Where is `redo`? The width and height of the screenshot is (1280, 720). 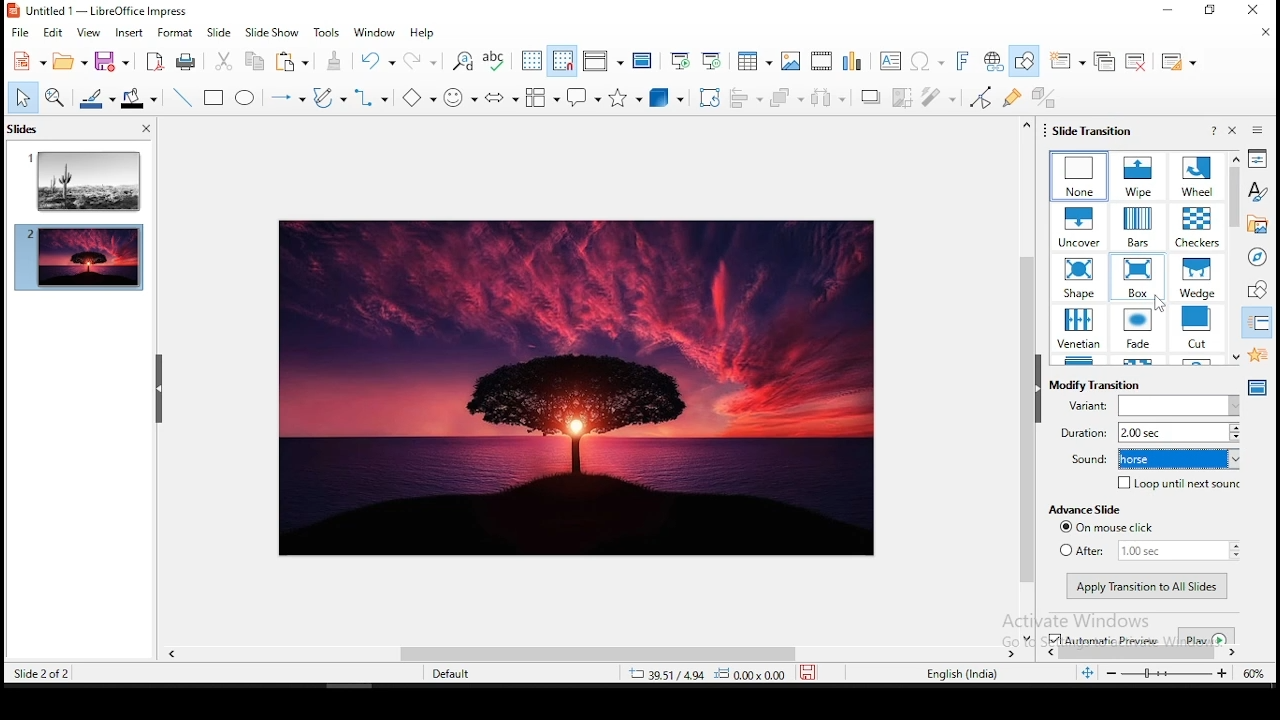 redo is located at coordinates (423, 60).